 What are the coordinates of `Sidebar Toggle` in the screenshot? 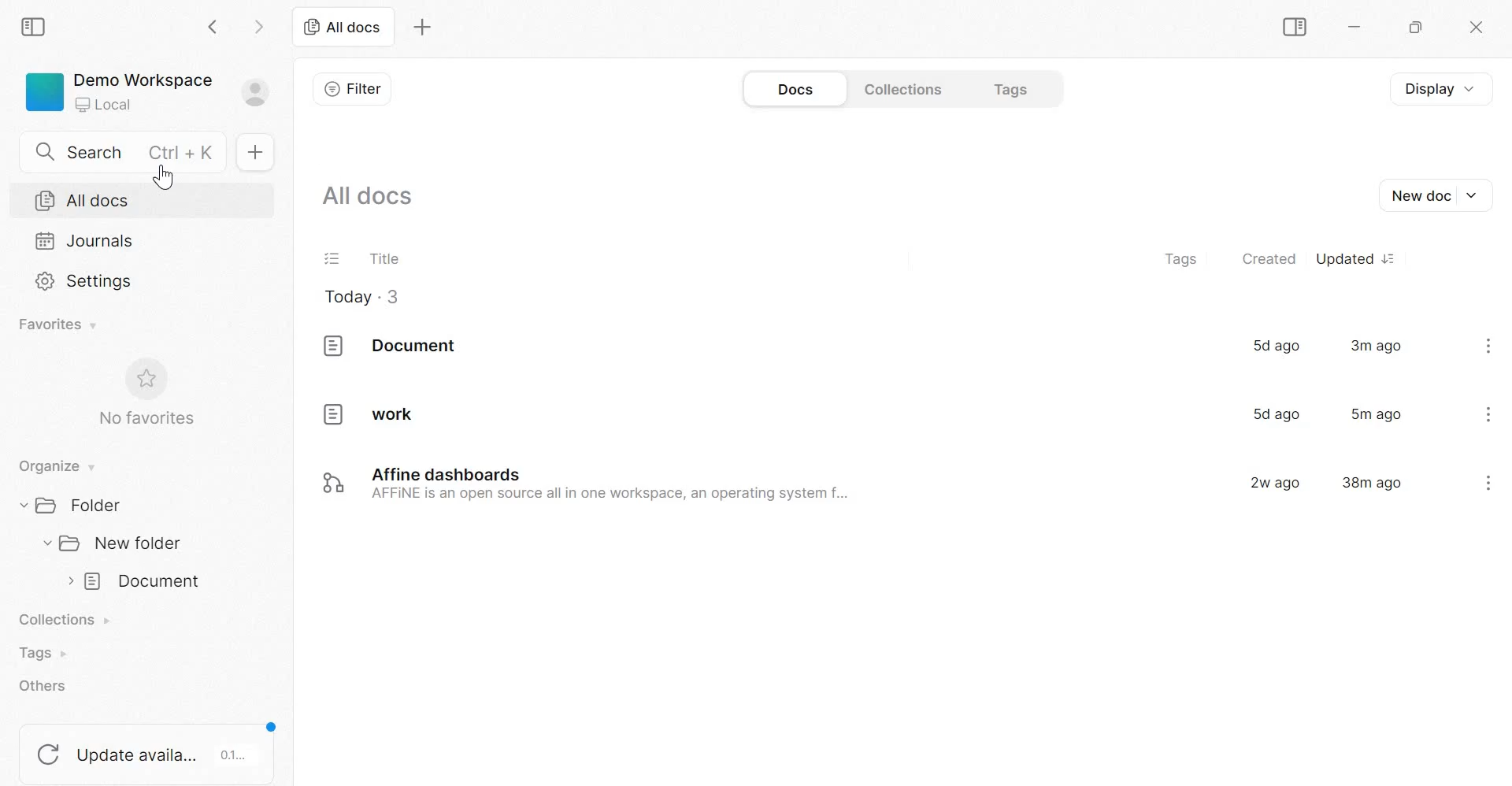 It's located at (1291, 28).